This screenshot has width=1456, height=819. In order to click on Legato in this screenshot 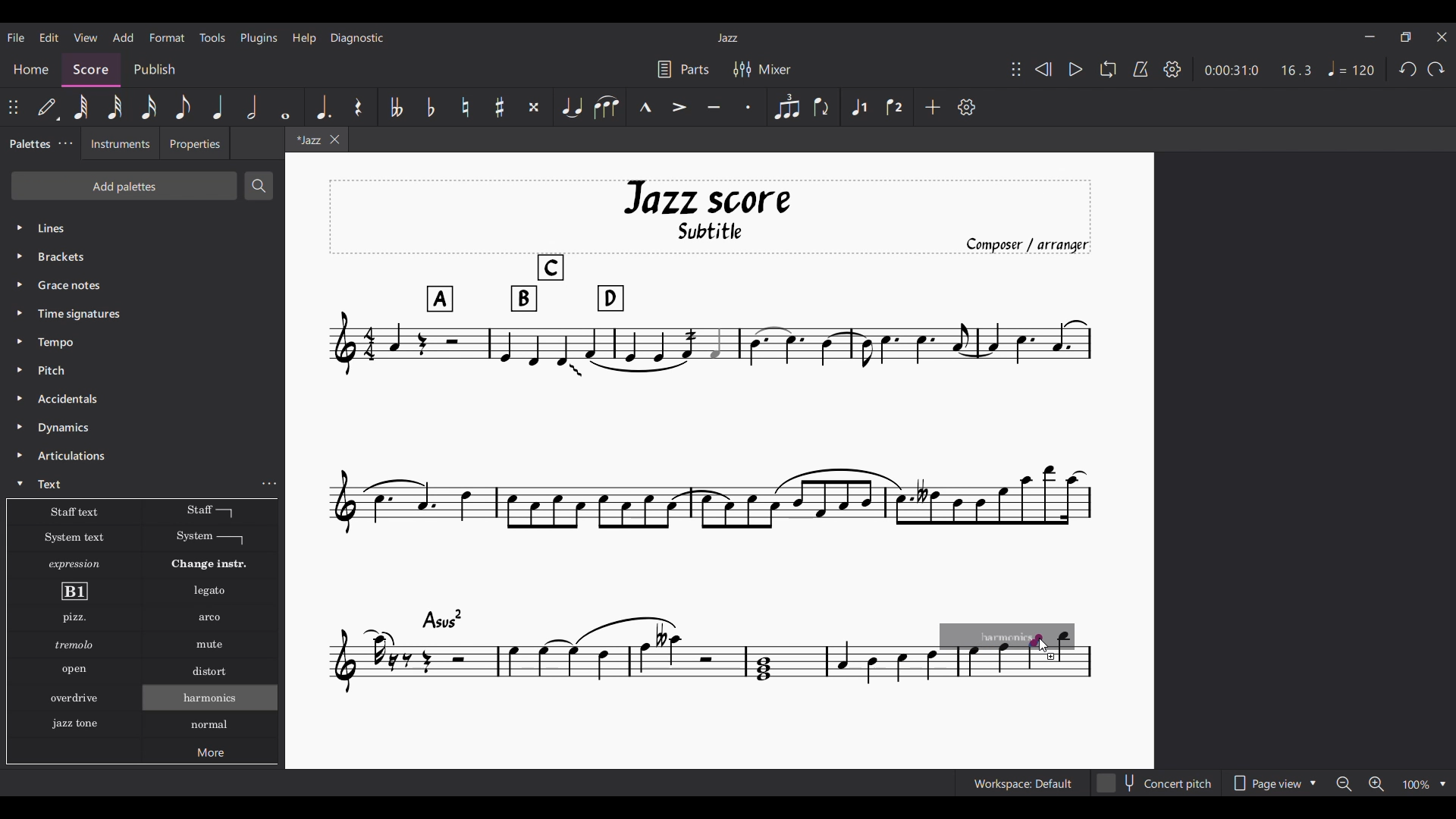, I will do `click(212, 591)`.